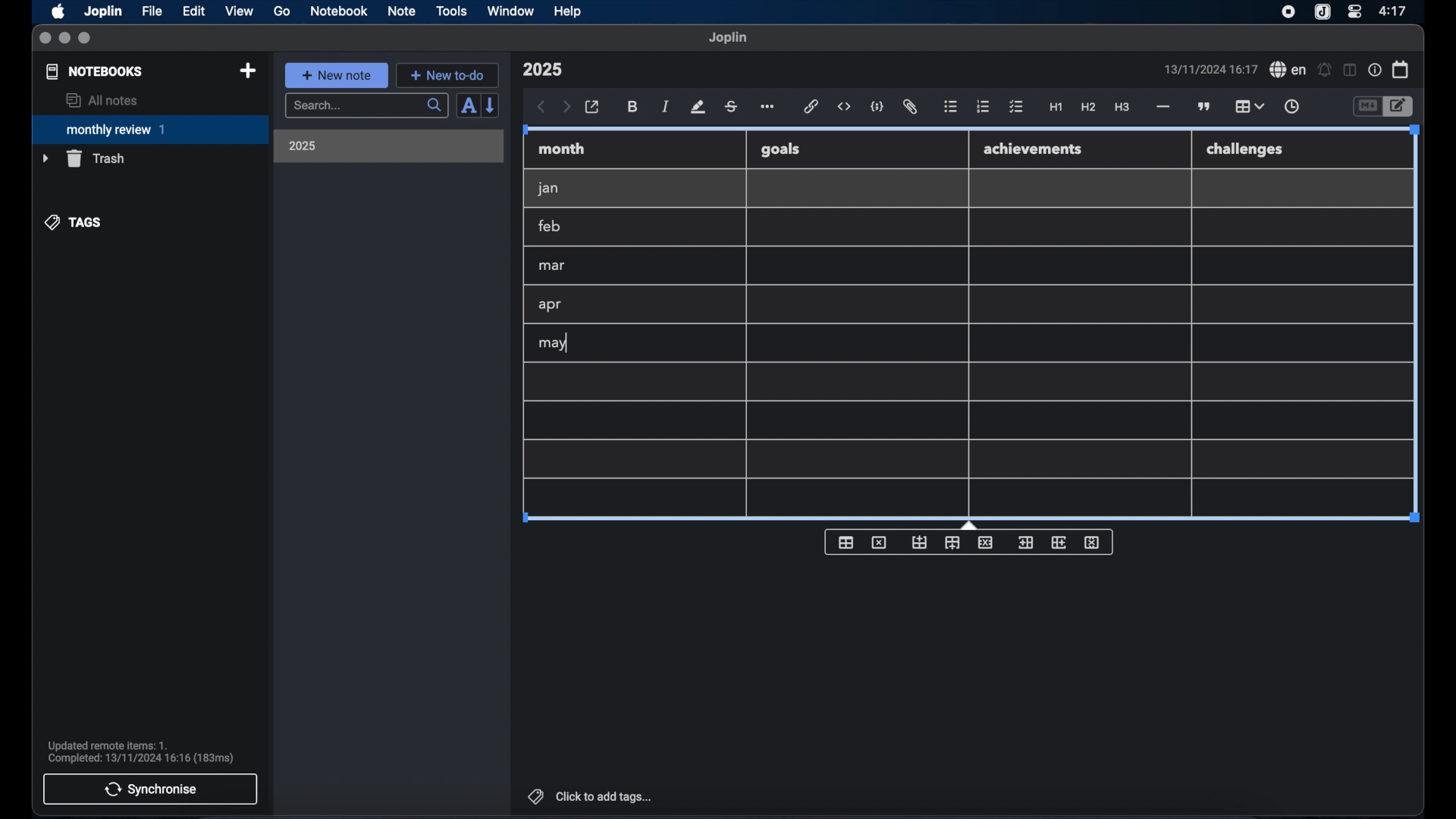 The image size is (1456, 819). Describe the element at coordinates (303, 146) in the screenshot. I see `2025` at that location.